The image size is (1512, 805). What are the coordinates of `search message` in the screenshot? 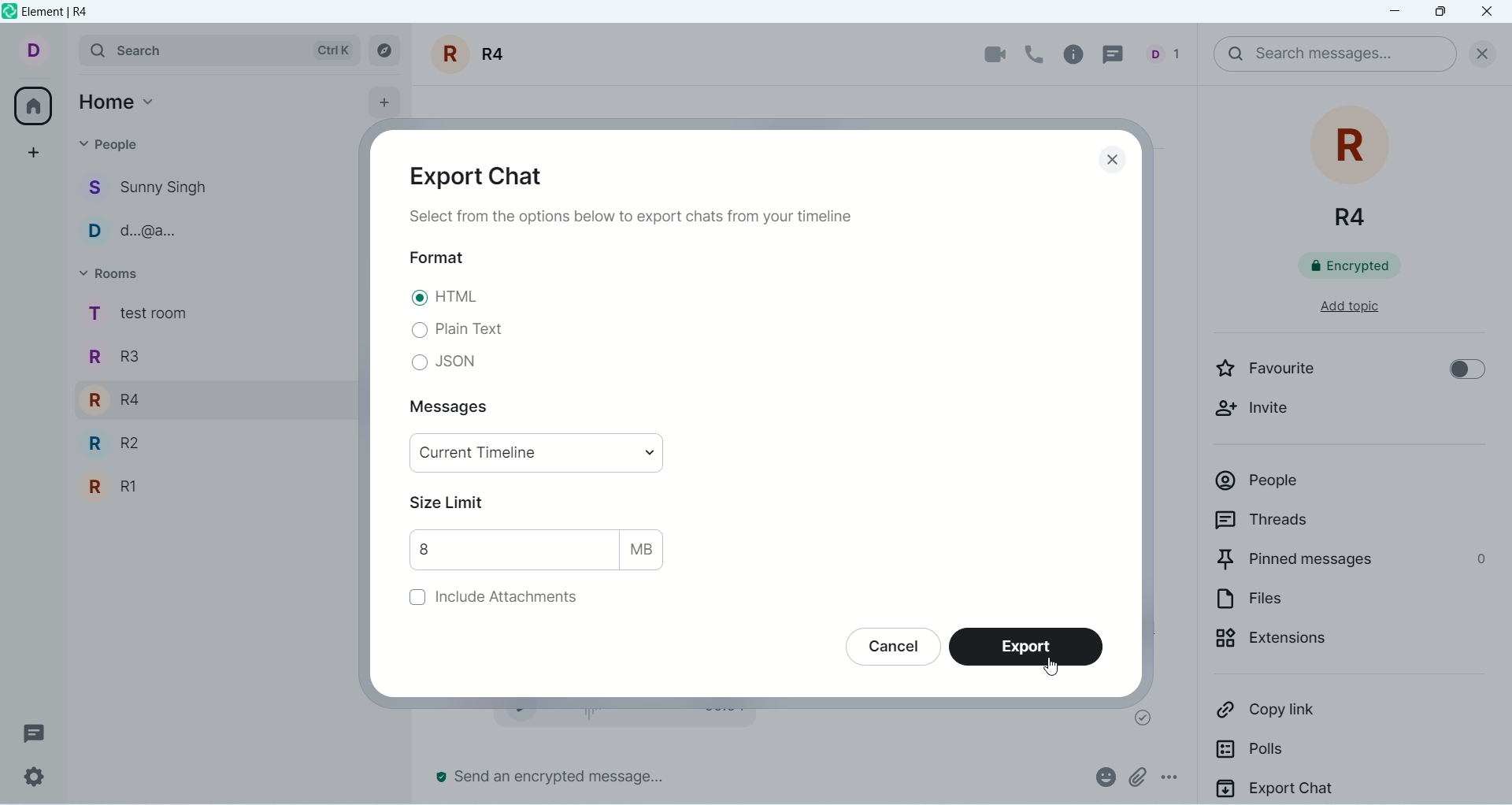 It's located at (1334, 54).